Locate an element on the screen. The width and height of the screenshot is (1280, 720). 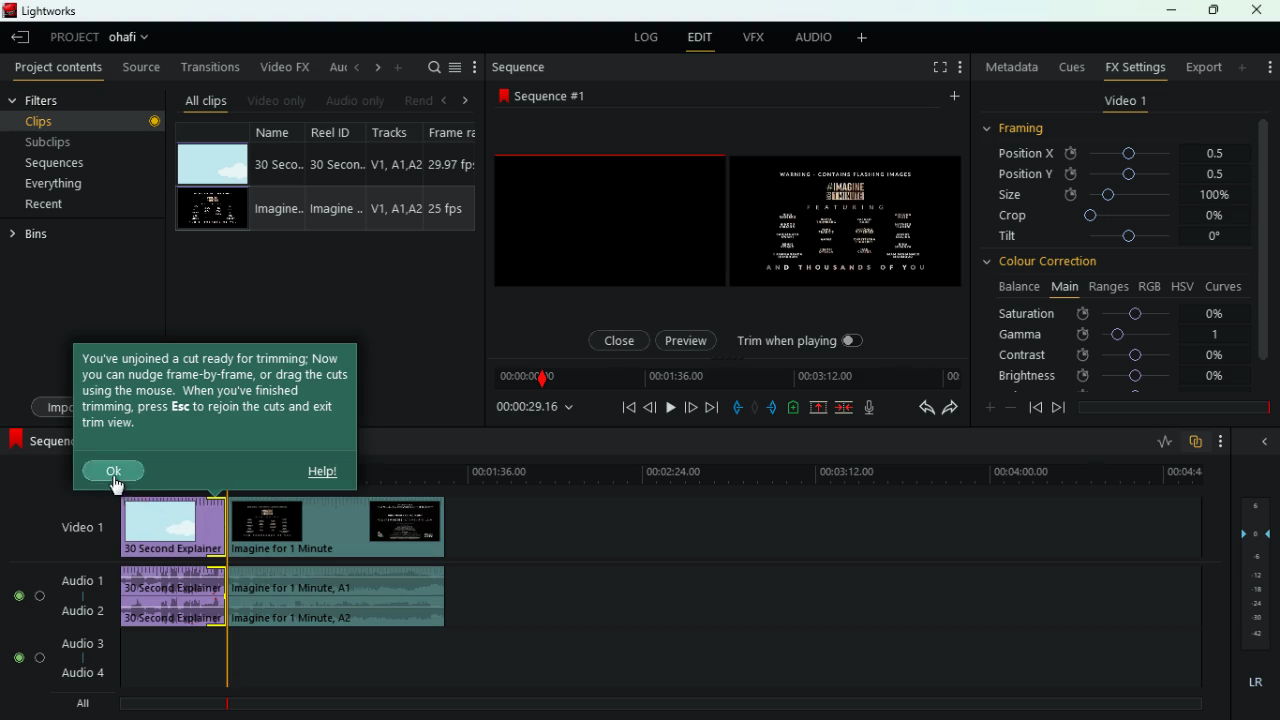
bins is located at coordinates (33, 237).